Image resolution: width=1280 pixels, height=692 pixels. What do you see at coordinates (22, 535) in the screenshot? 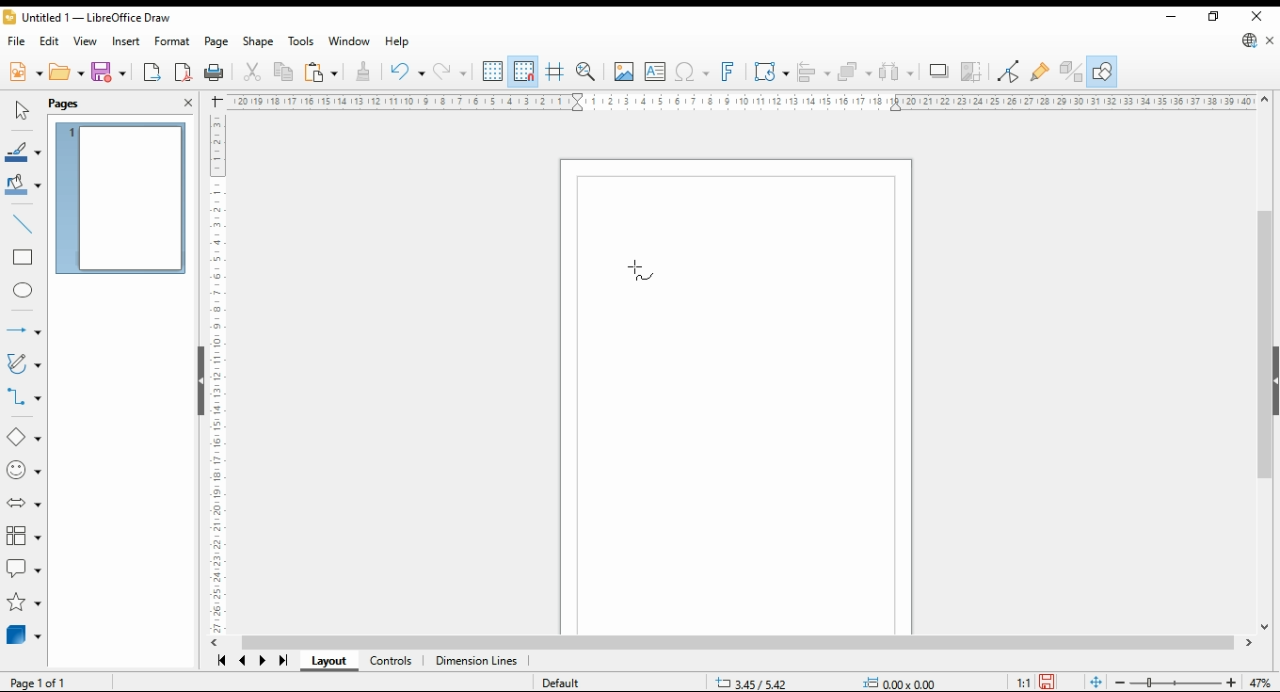
I see `flowchart` at bounding box center [22, 535].